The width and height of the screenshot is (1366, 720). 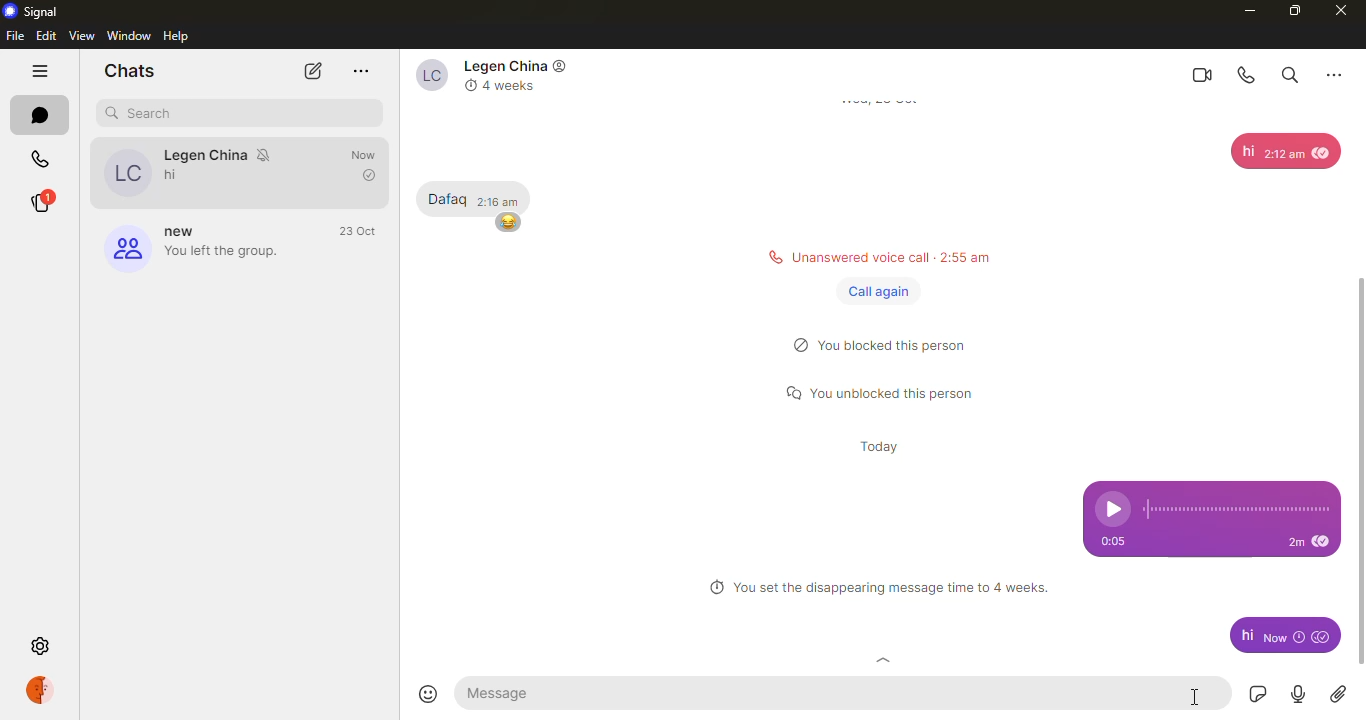 I want to click on hide tabs, so click(x=40, y=73).